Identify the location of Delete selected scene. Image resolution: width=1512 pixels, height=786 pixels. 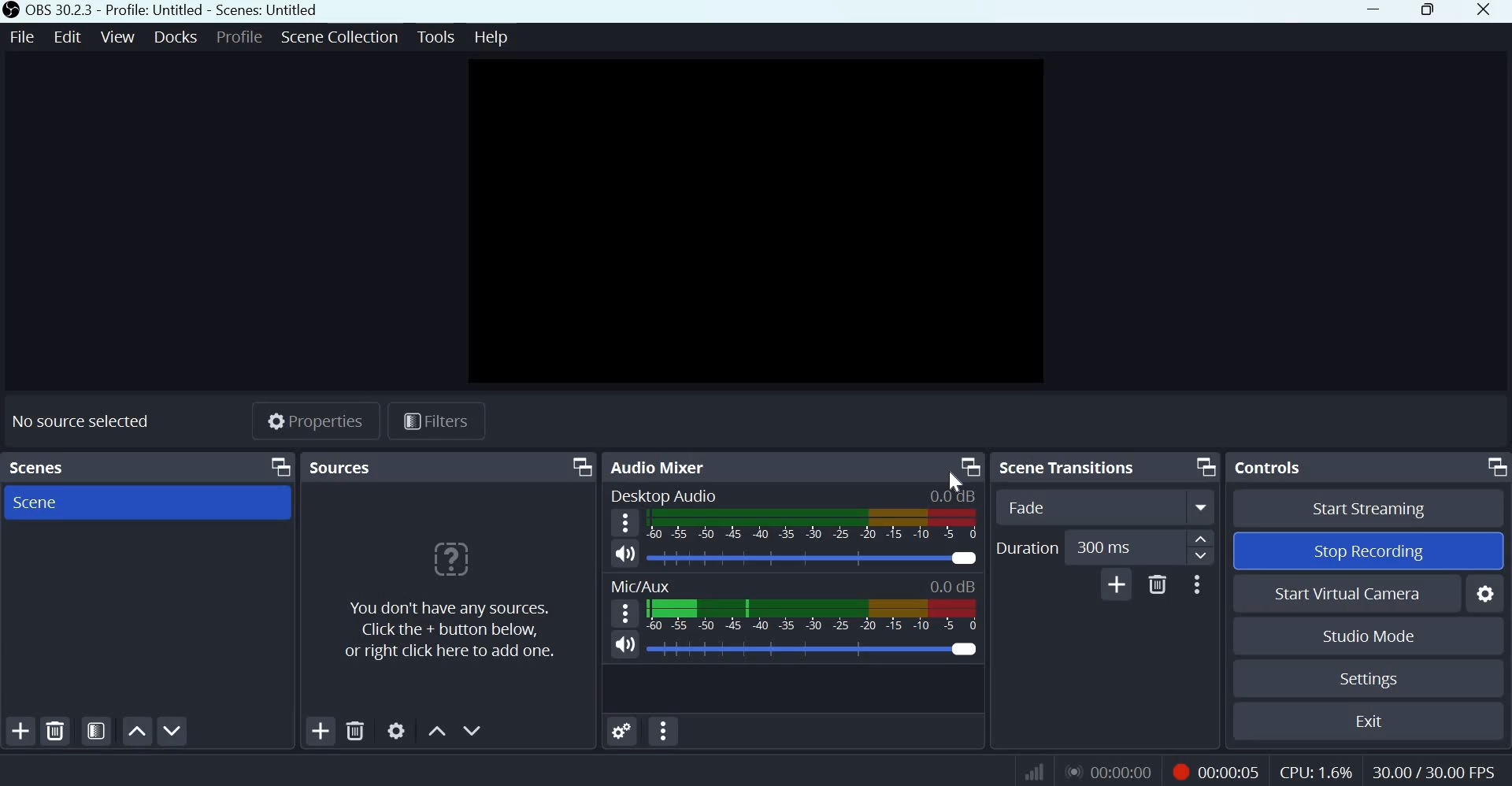
(56, 732).